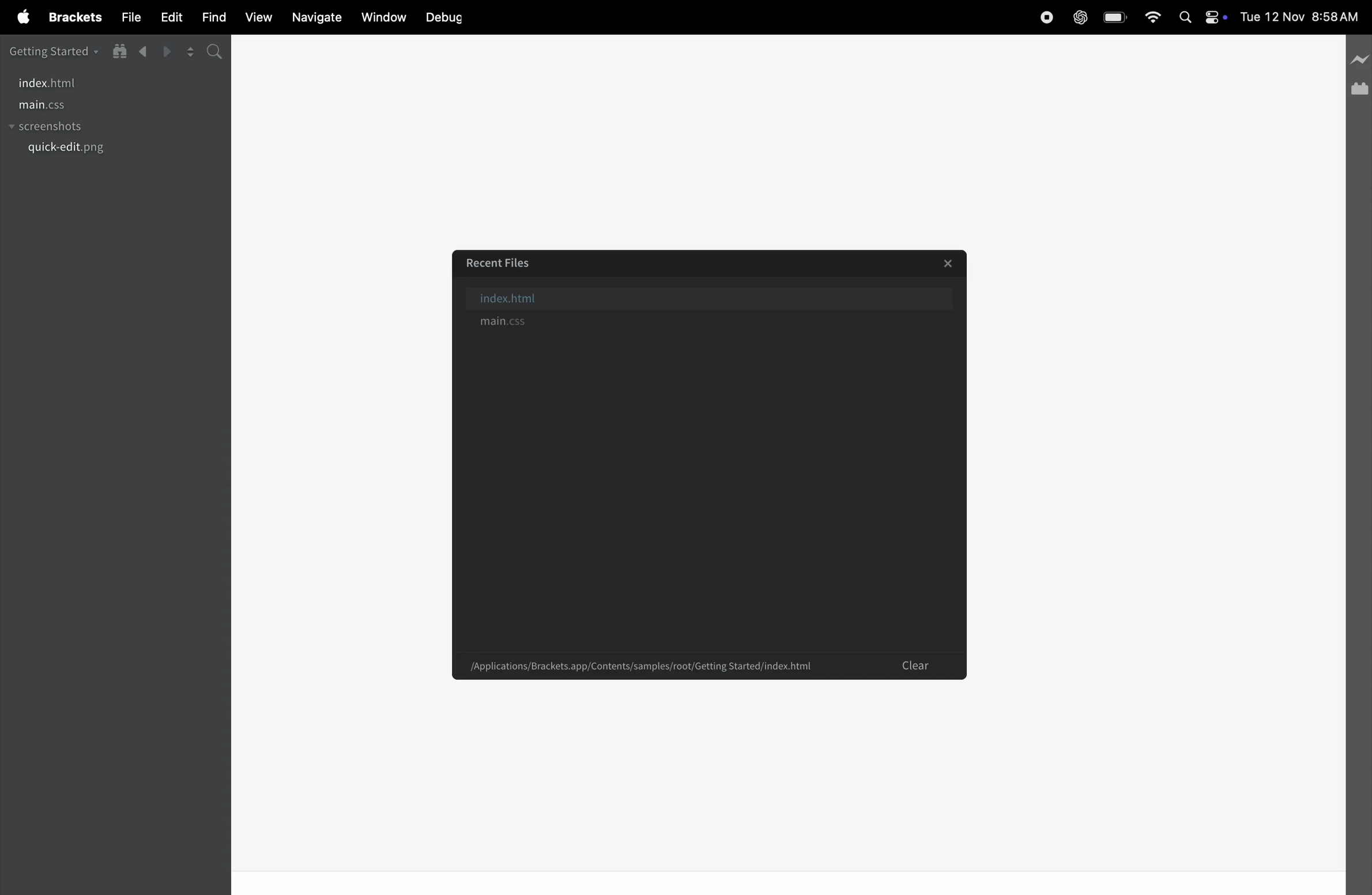  Describe the element at coordinates (772, 569) in the screenshot. I see `Cursor` at that location.